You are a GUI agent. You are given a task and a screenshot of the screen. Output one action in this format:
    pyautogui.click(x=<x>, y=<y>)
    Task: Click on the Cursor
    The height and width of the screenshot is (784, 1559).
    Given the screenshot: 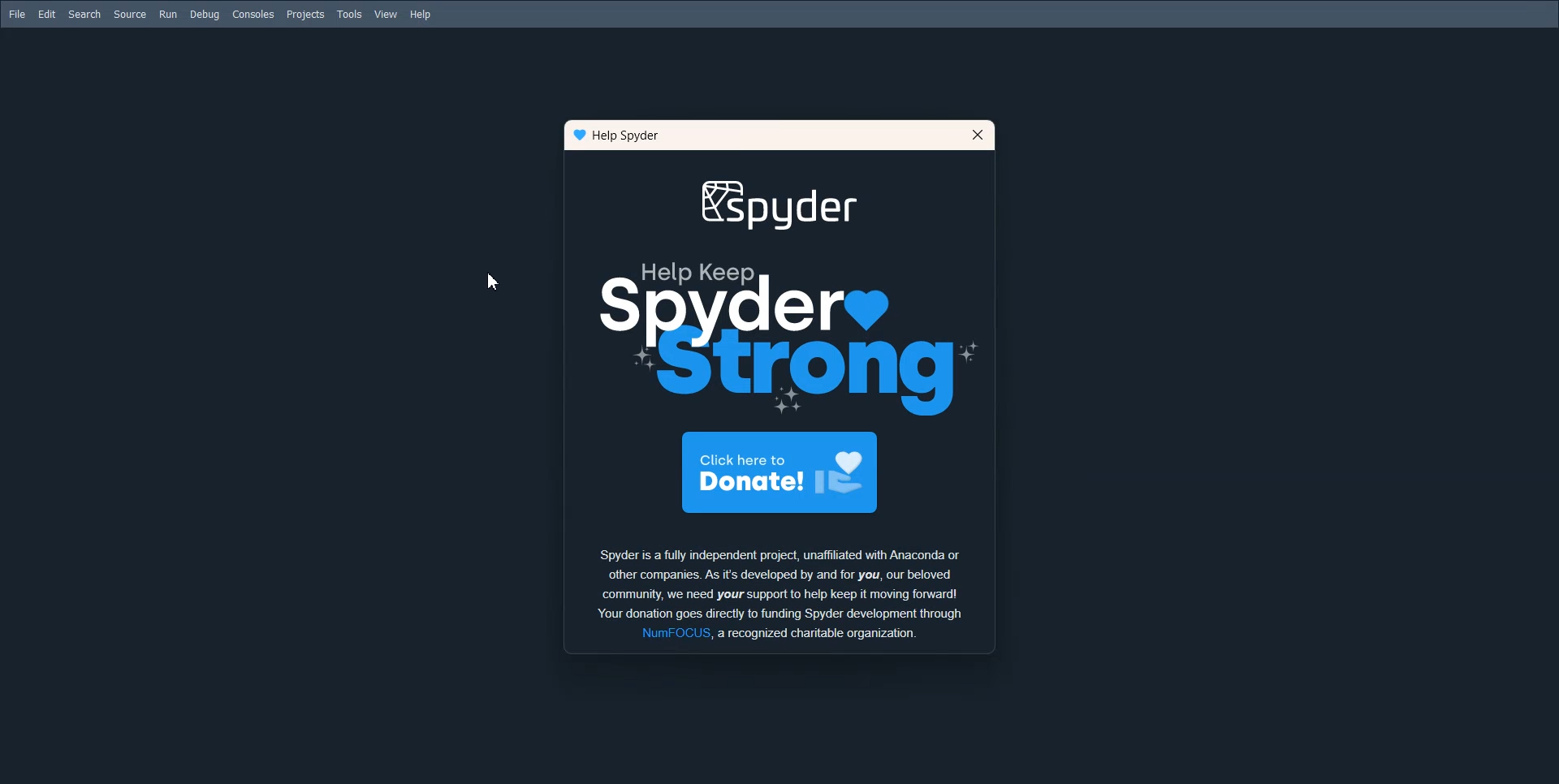 What is the action you would take?
    pyautogui.click(x=493, y=282)
    